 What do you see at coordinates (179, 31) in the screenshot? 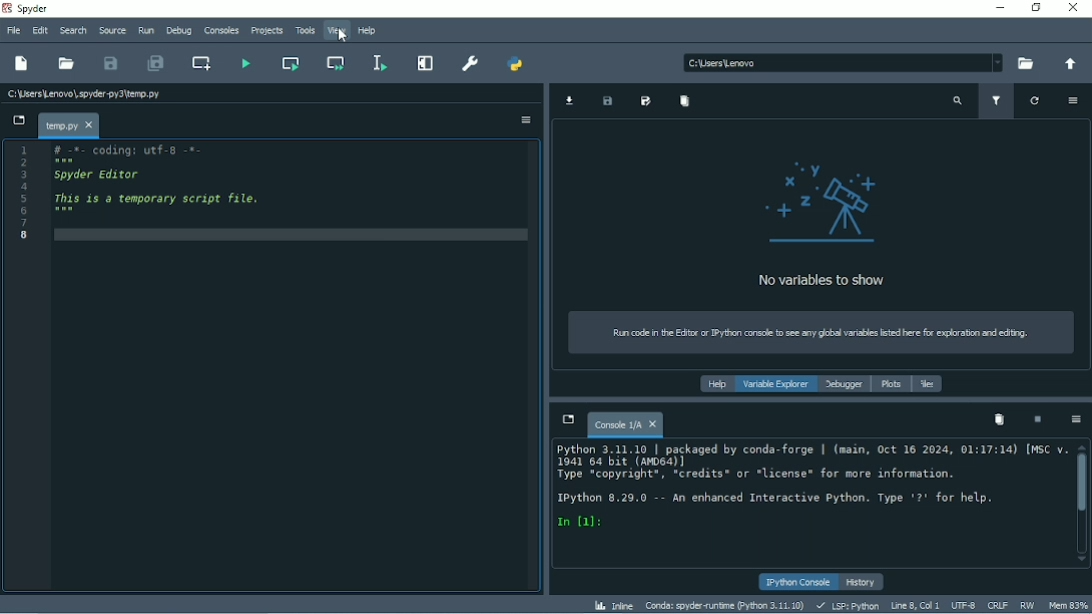
I see `Debug` at bounding box center [179, 31].